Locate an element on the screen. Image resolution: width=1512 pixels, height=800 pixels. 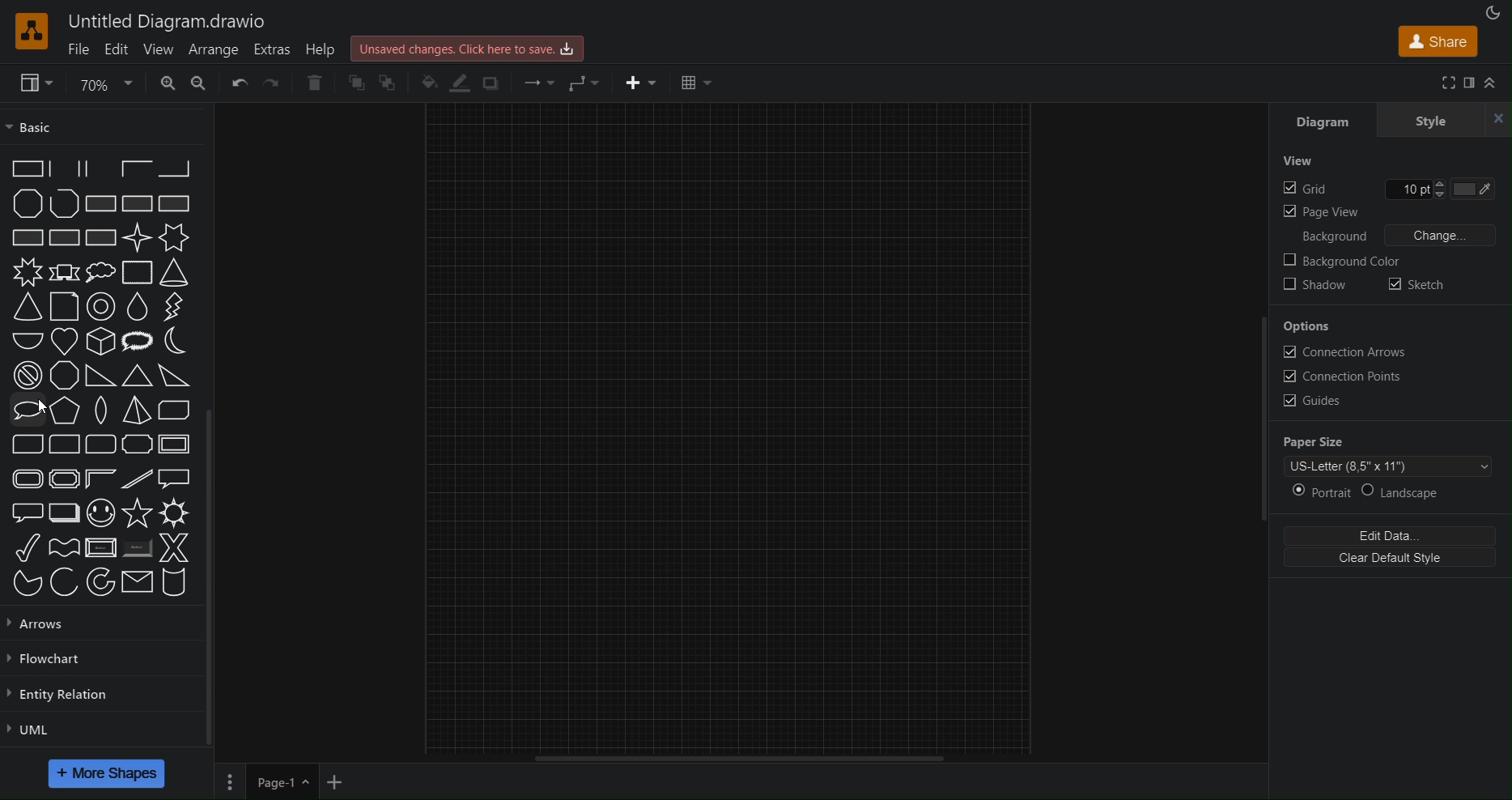
Octagon is located at coordinates (63, 375).